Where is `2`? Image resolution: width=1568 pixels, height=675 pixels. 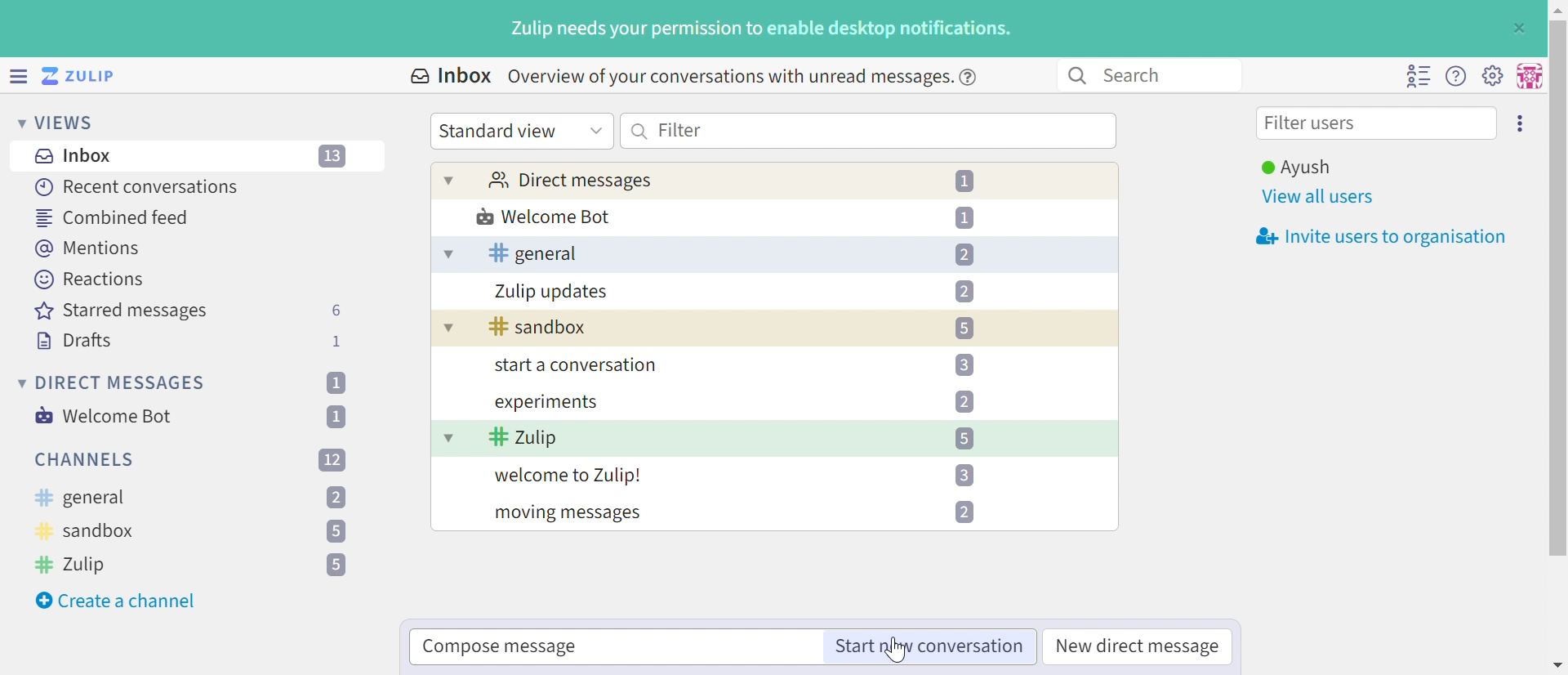
2 is located at coordinates (964, 401).